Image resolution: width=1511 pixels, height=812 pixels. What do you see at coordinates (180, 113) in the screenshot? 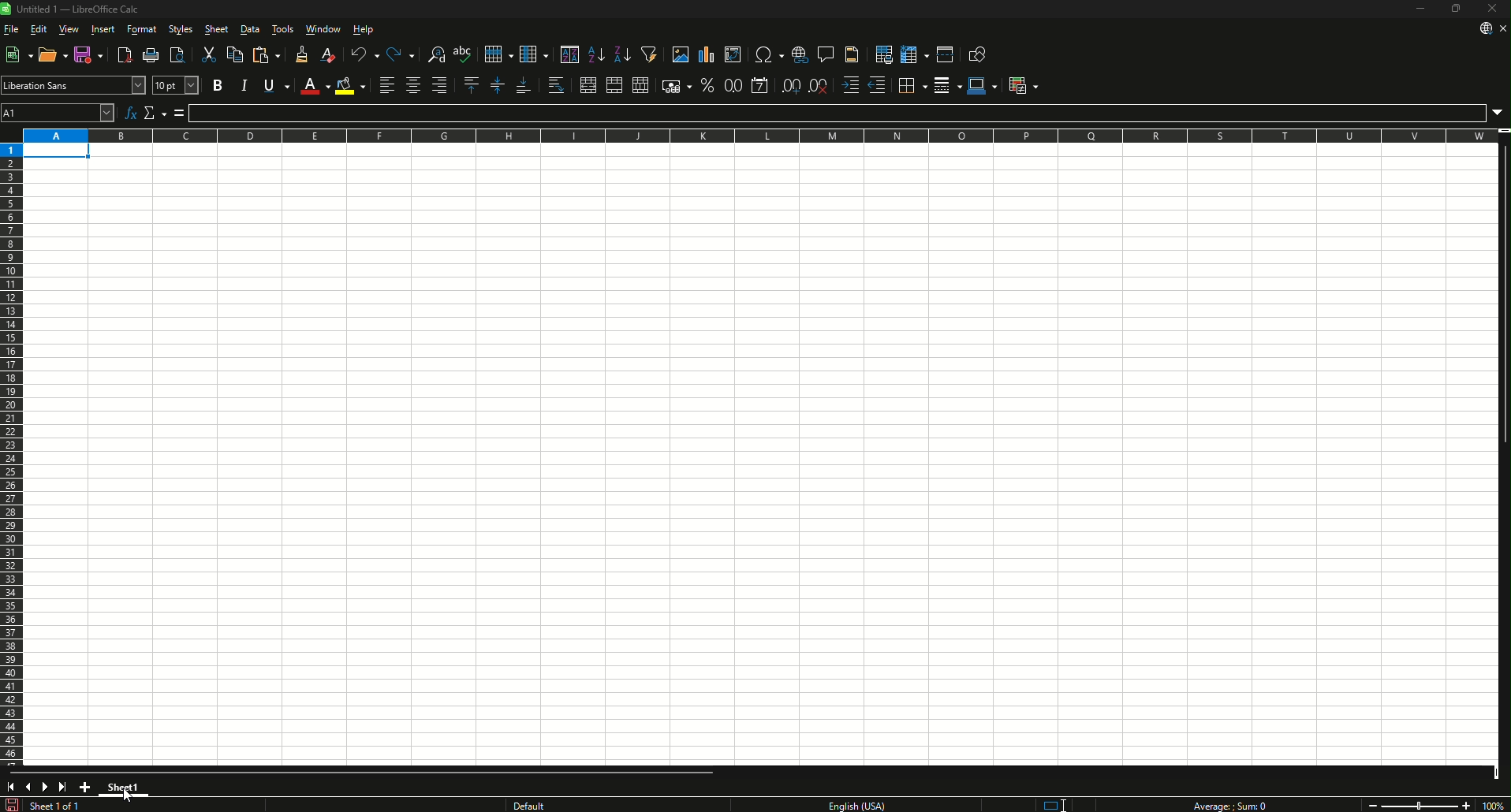
I see `Formula` at bounding box center [180, 113].